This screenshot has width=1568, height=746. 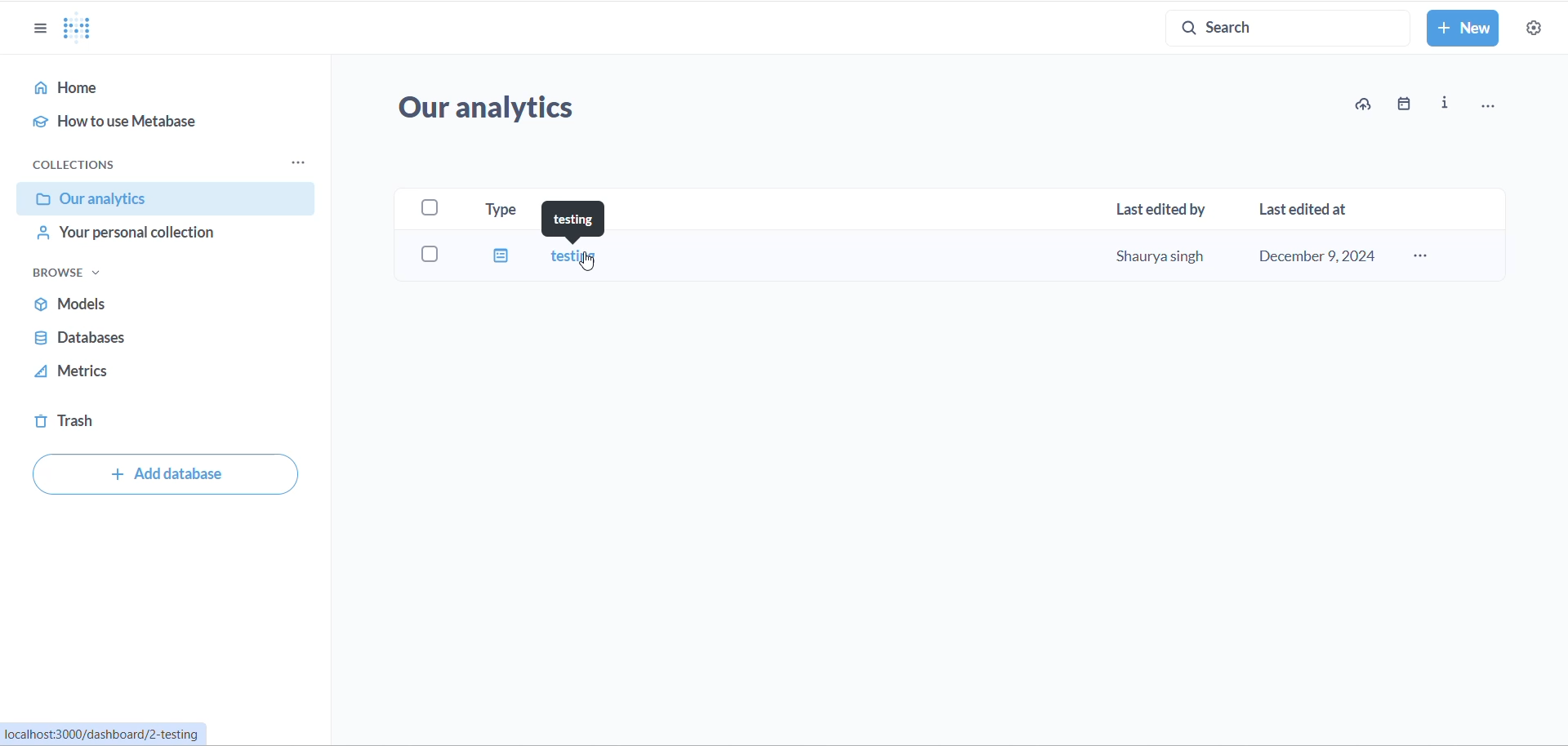 I want to click on upload, so click(x=1371, y=103).